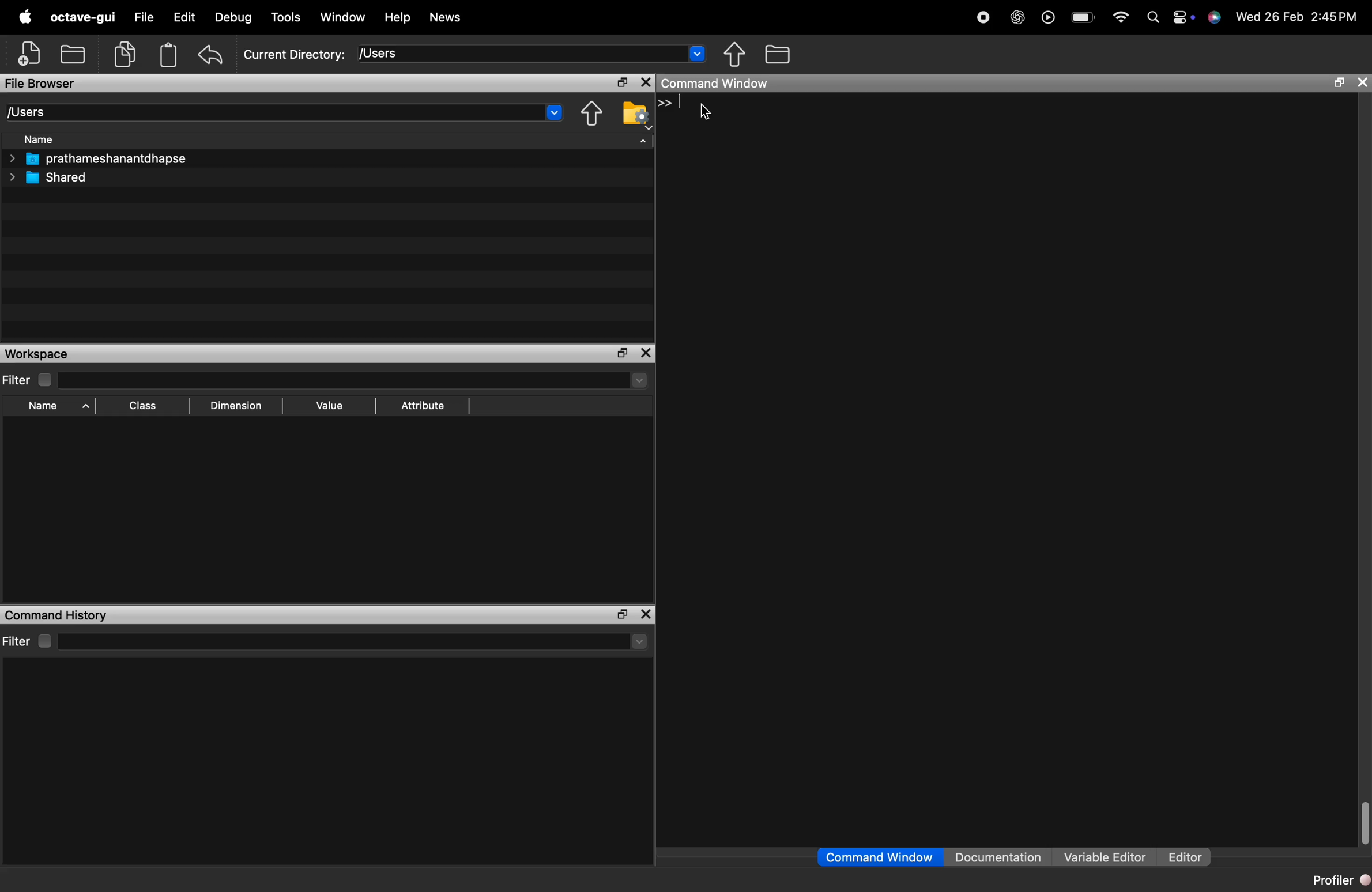  I want to click on Edit, so click(184, 17).